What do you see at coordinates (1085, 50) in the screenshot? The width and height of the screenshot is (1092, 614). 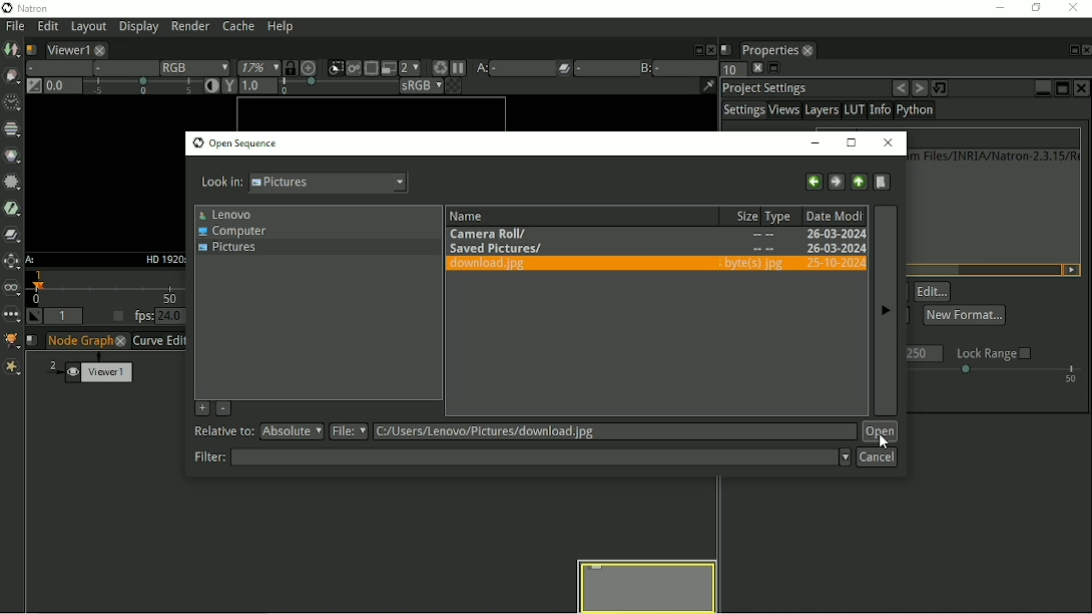 I see `Close` at bounding box center [1085, 50].